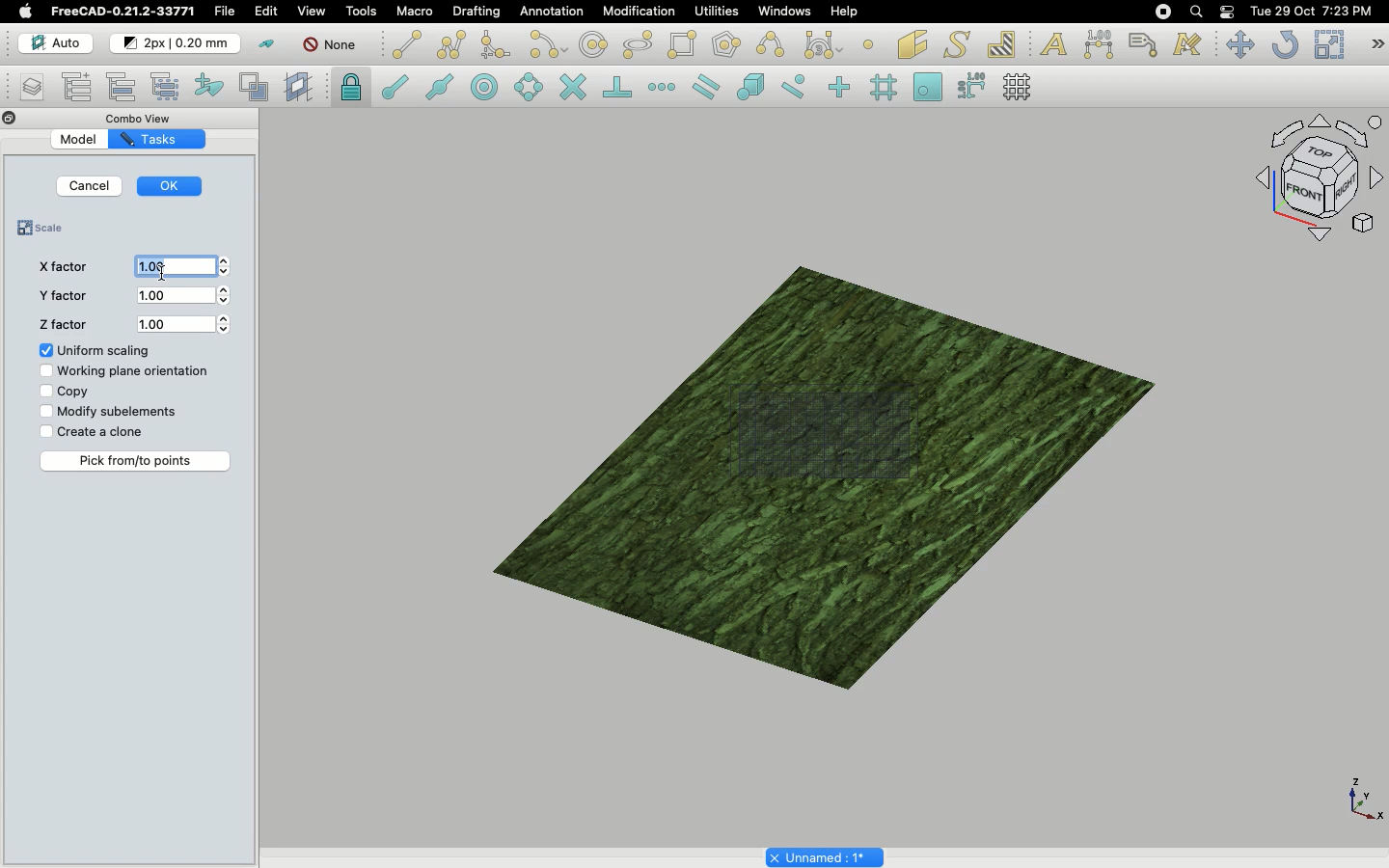 Image resolution: width=1389 pixels, height=868 pixels. Describe the element at coordinates (968, 86) in the screenshot. I see `Snap dimensions` at that location.